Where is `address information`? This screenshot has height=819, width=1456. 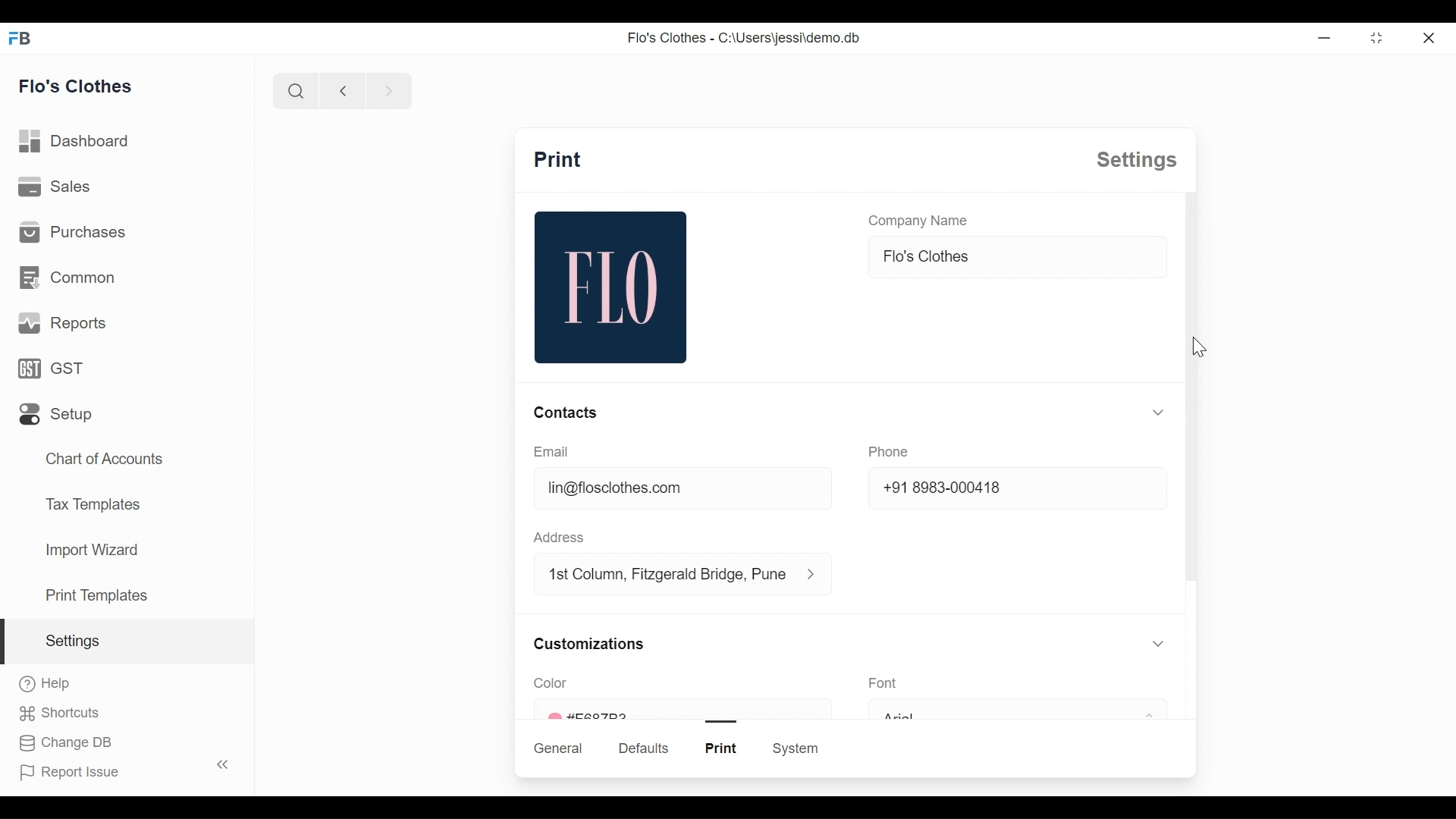
address information is located at coordinates (814, 574).